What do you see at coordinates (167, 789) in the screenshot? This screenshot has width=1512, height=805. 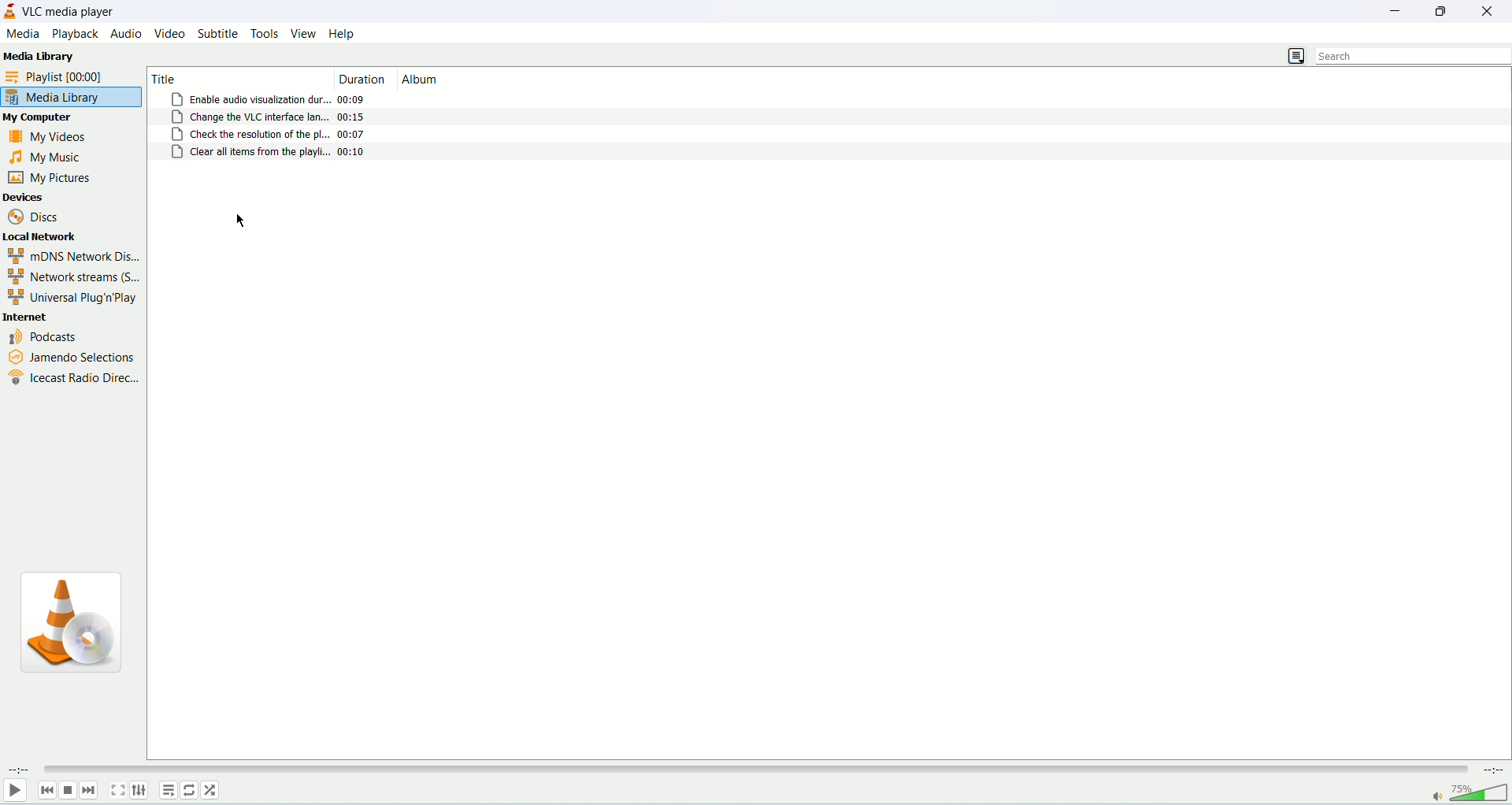 I see `playlist` at bounding box center [167, 789].